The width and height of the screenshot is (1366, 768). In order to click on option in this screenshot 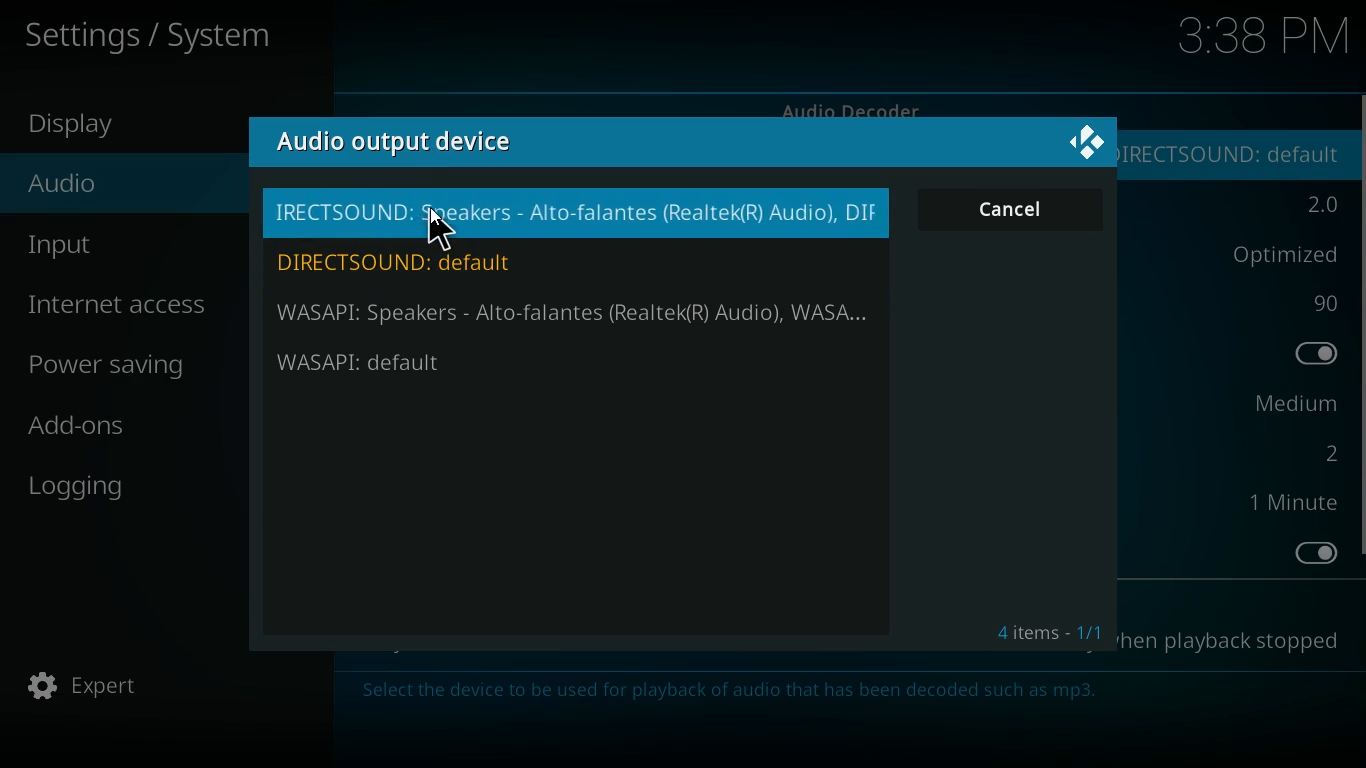, I will do `click(1323, 356)`.